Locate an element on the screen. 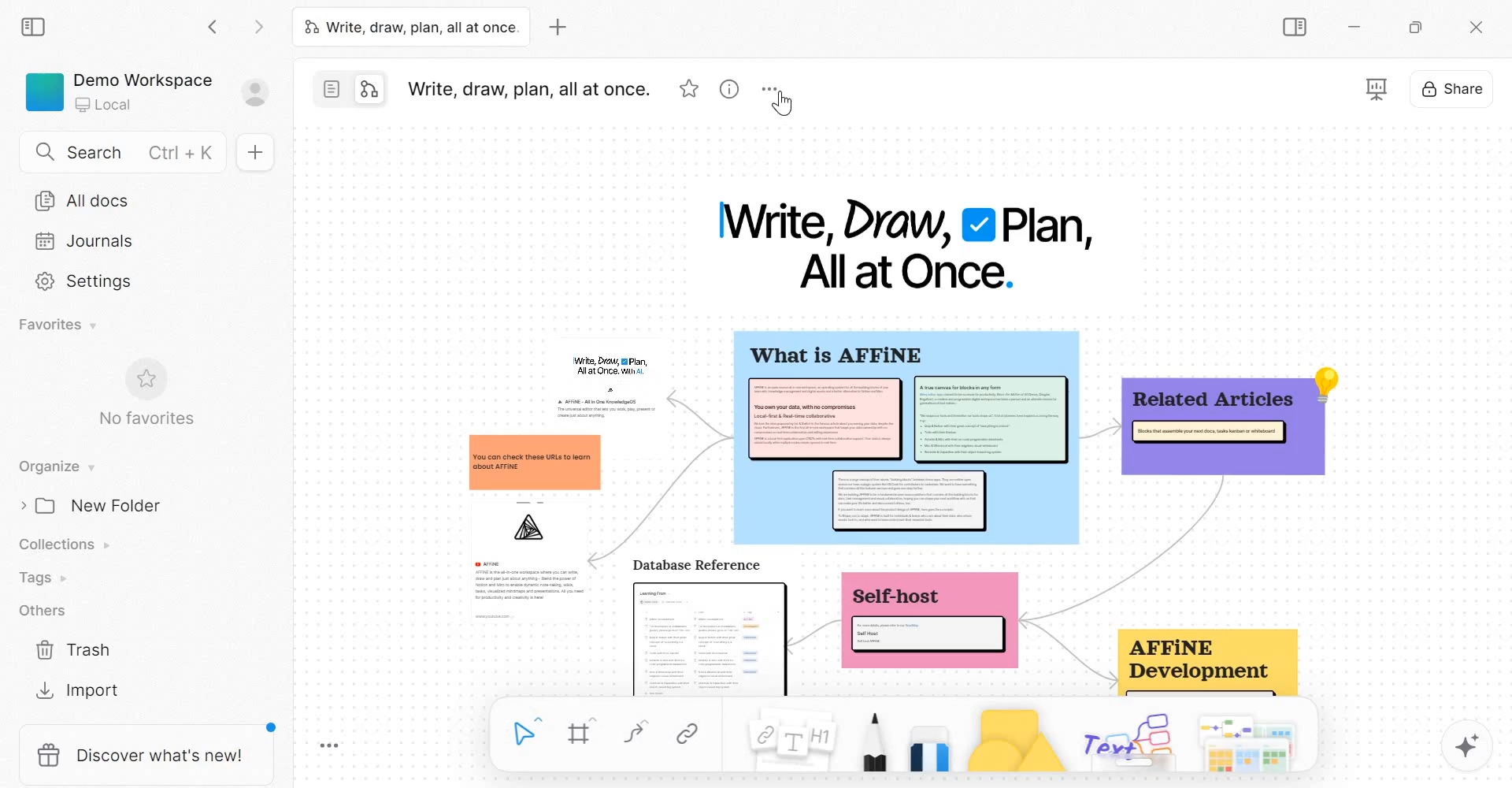 The image size is (1512, 788). Eraser is located at coordinates (930, 744).